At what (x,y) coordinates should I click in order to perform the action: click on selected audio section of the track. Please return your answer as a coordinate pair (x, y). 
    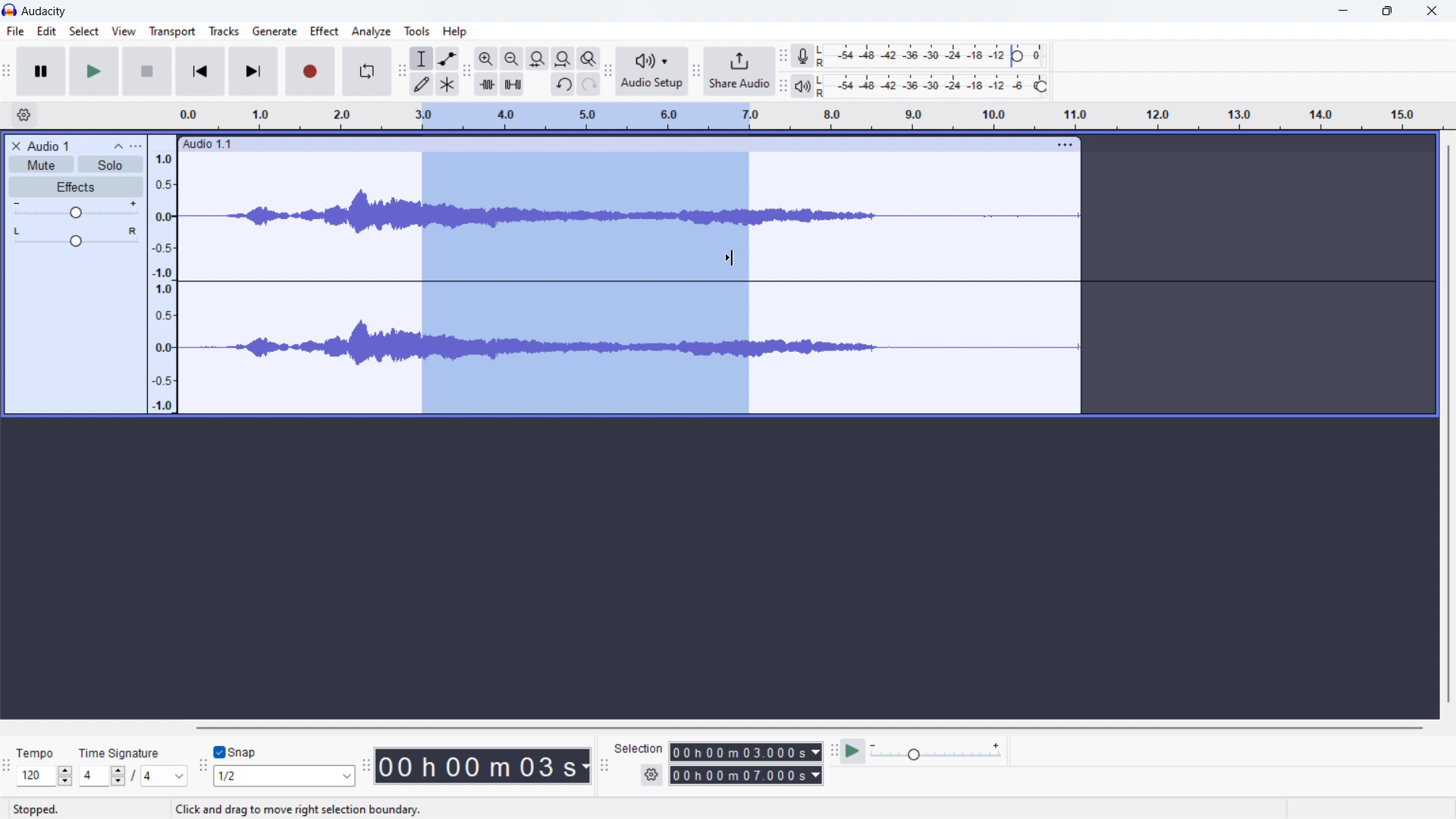
    Looking at the image, I should click on (585, 289).